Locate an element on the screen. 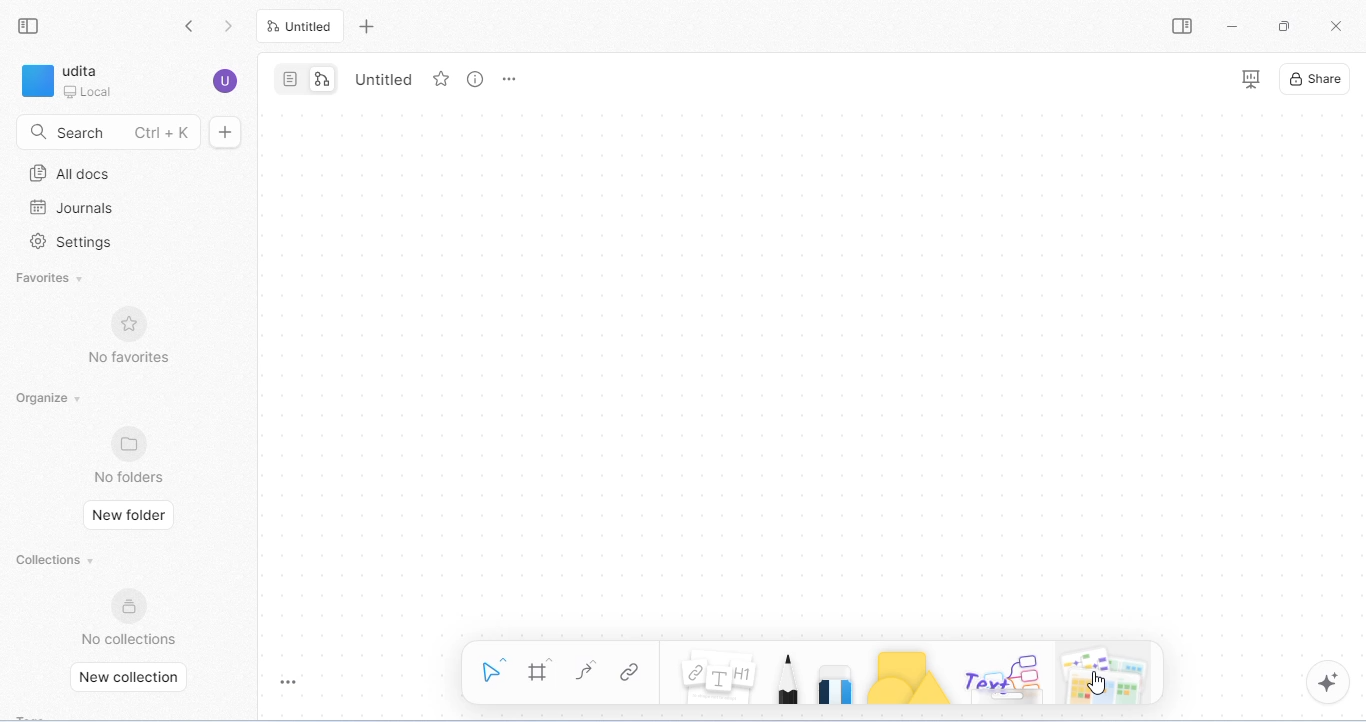 This screenshot has height=722, width=1366. close is located at coordinates (1335, 24).